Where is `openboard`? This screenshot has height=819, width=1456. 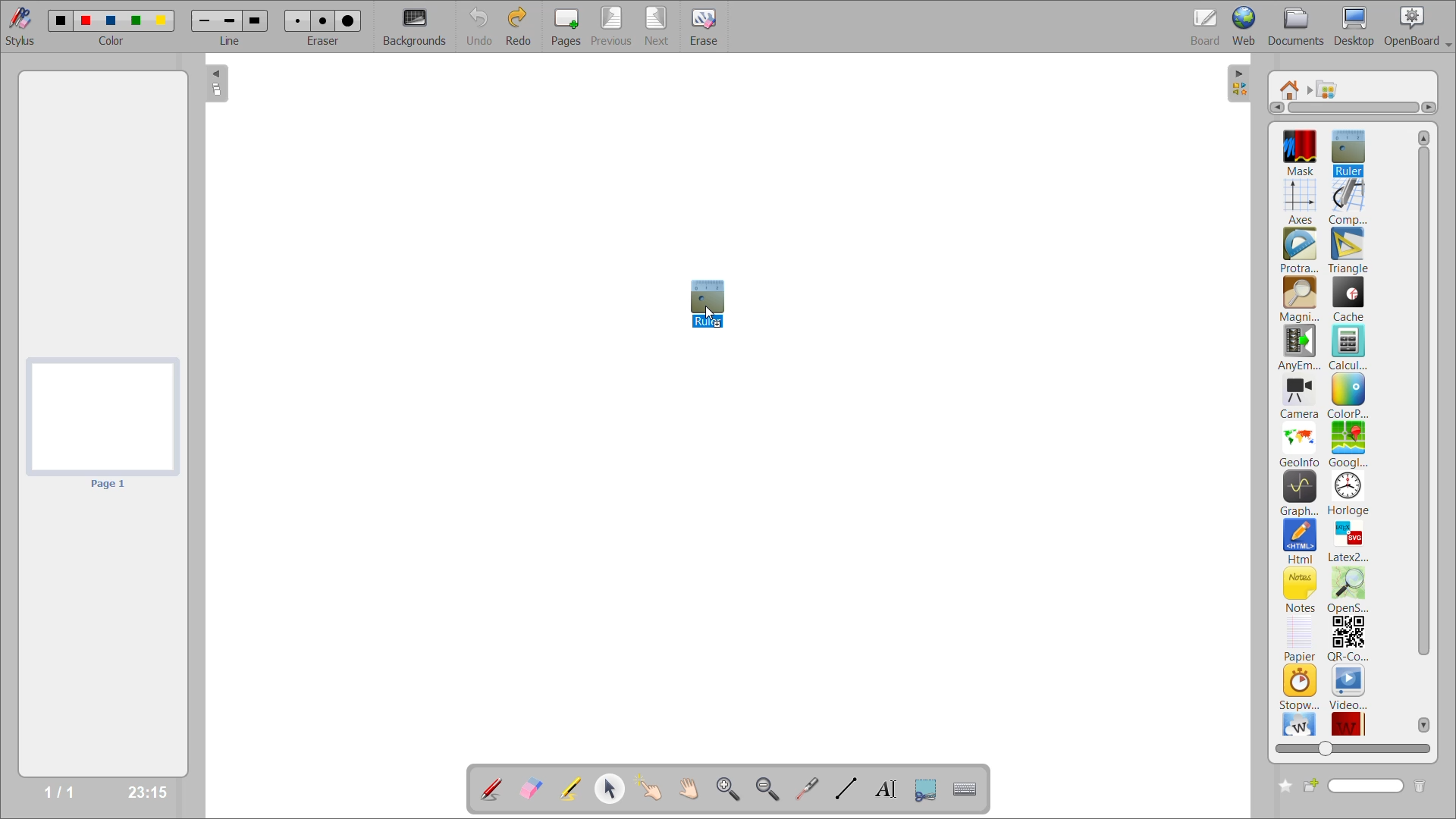 openboard is located at coordinates (1420, 27).